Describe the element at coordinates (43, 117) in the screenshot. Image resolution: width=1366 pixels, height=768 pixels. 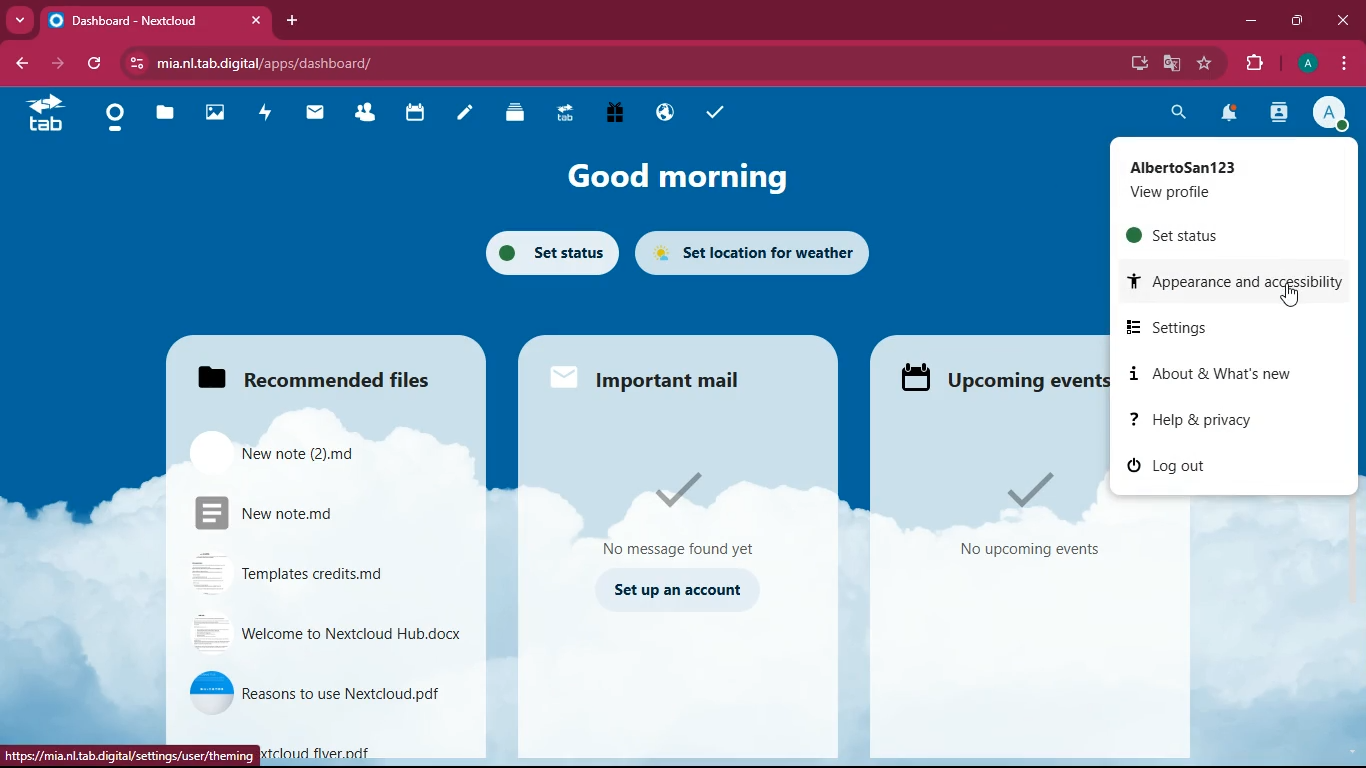
I see `tab` at that location.